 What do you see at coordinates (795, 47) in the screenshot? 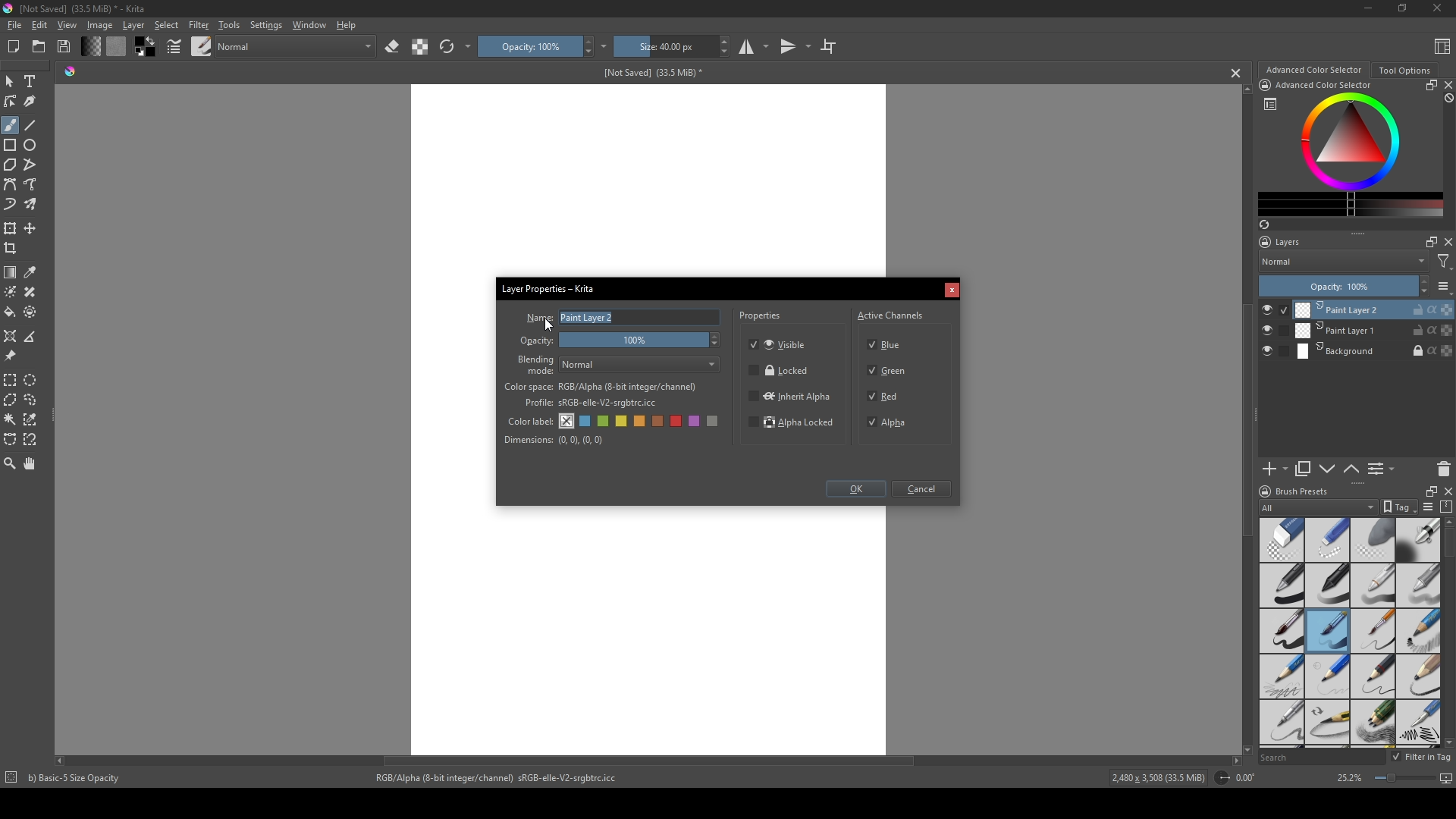
I see `transitions` at bounding box center [795, 47].